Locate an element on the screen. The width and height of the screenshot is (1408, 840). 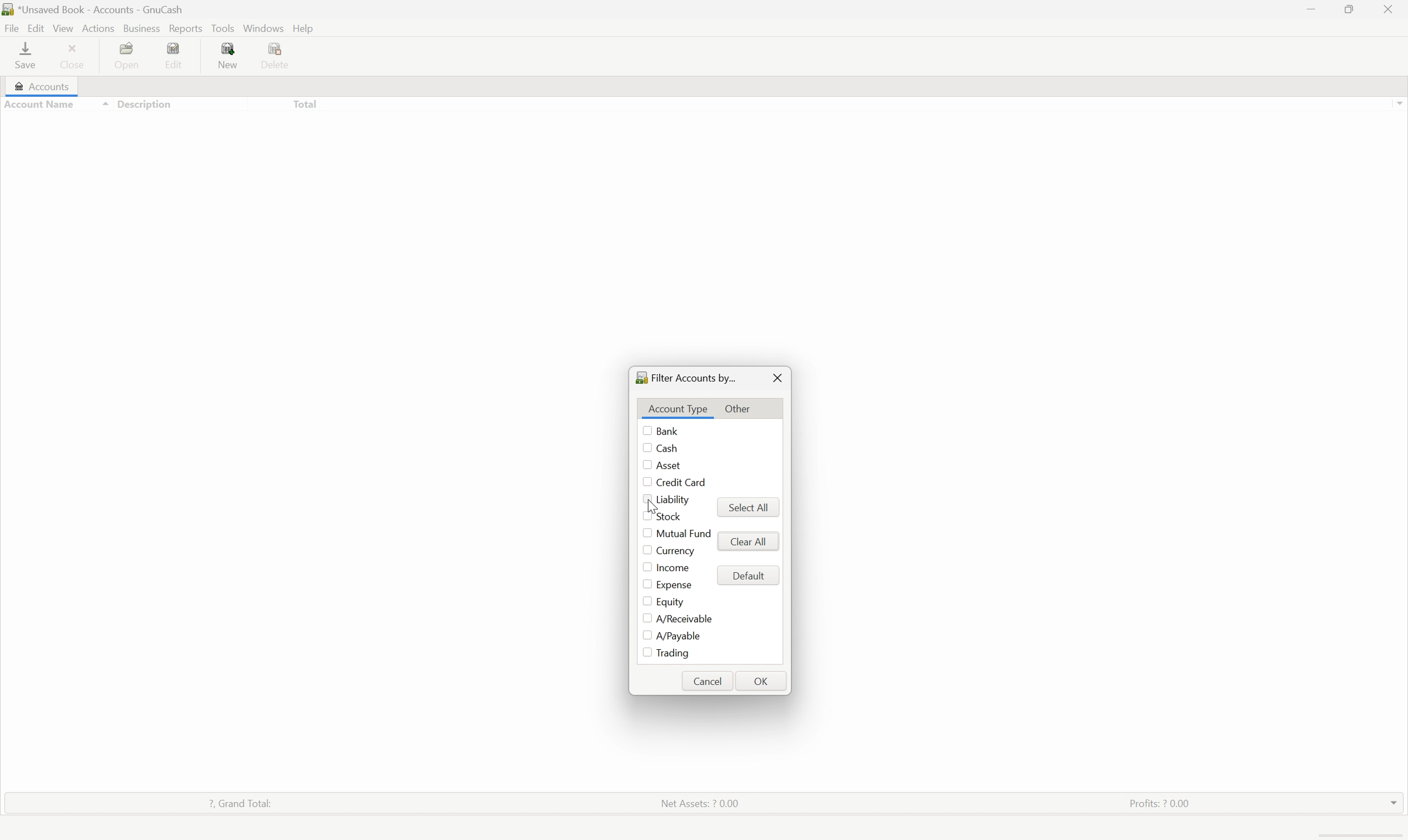
Cash is located at coordinates (670, 447).